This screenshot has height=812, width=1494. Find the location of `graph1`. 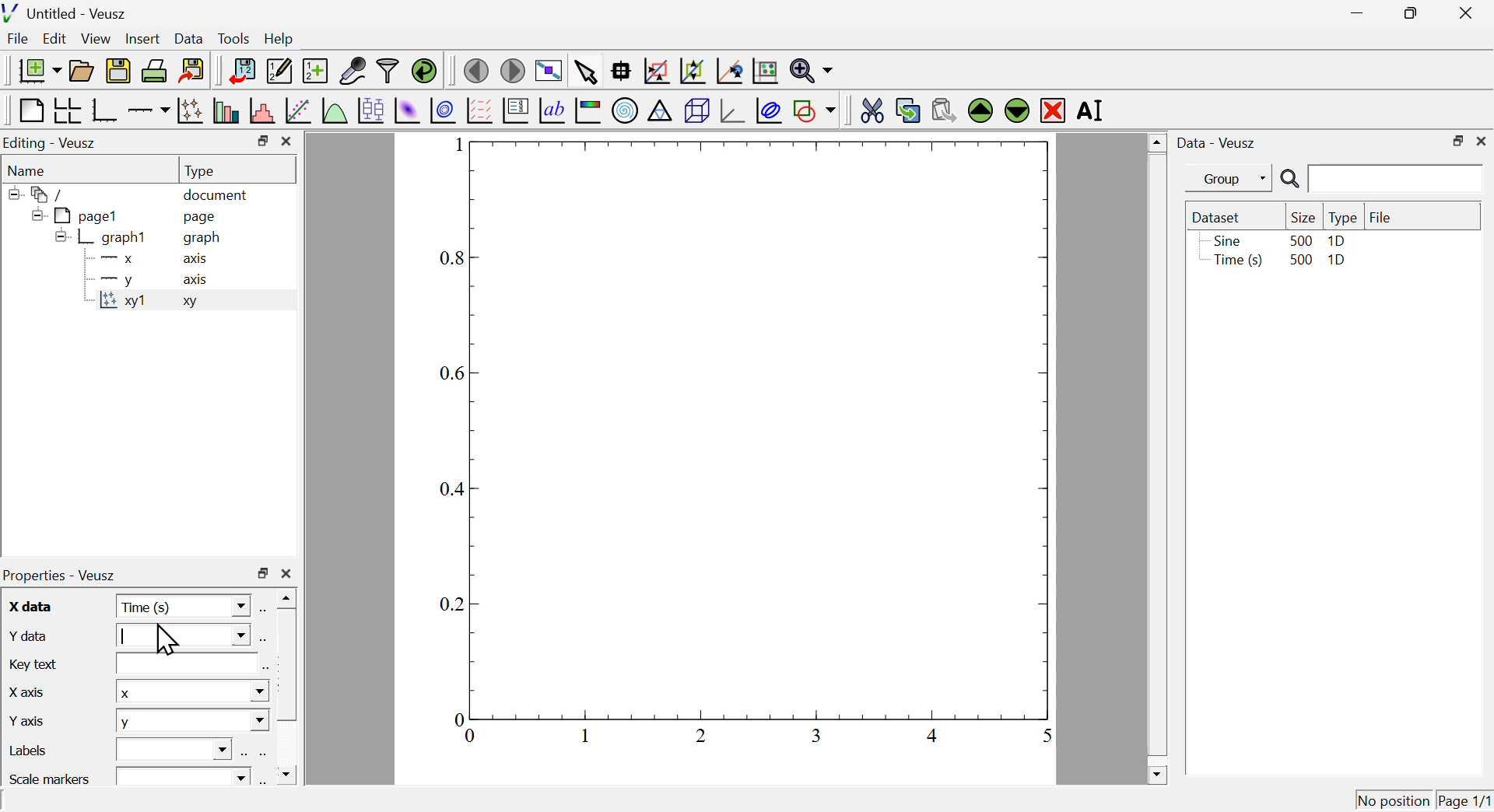

graph1 is located at coordinates (103, 238).